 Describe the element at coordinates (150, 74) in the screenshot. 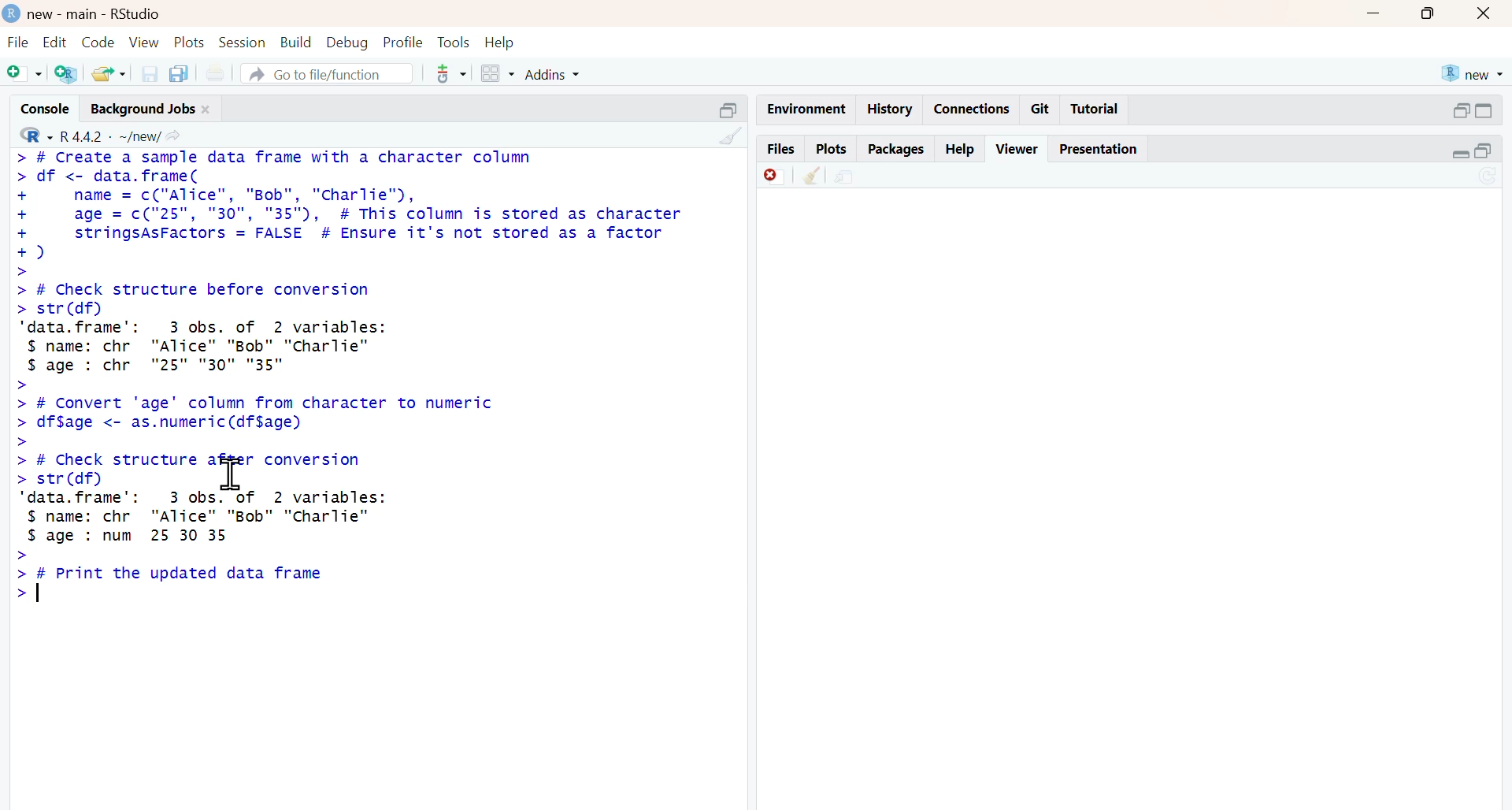

I see `save` at that location.